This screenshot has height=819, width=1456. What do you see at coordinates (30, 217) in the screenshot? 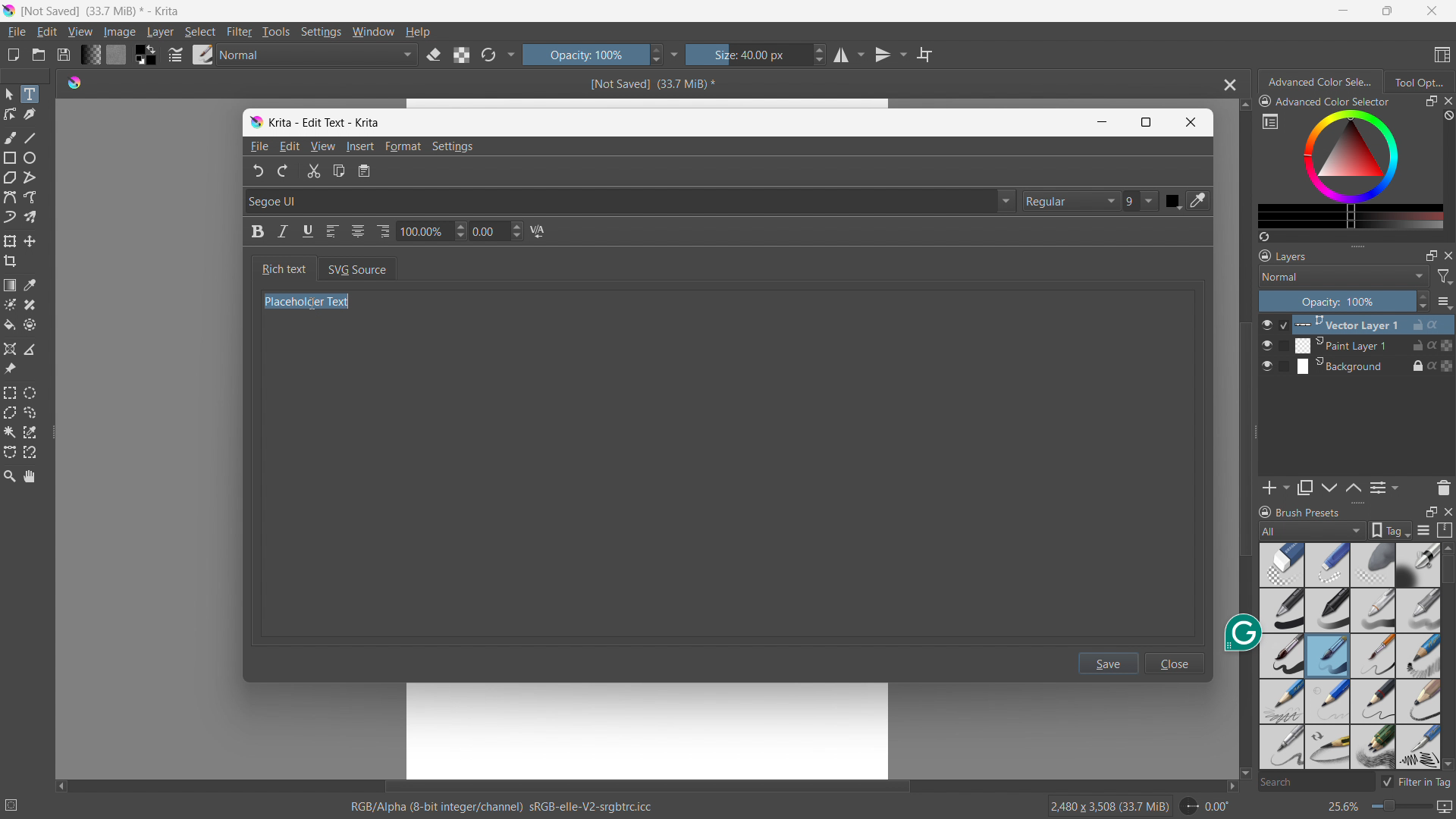
I see `multibrush tool` at bounding box center [30, 217].